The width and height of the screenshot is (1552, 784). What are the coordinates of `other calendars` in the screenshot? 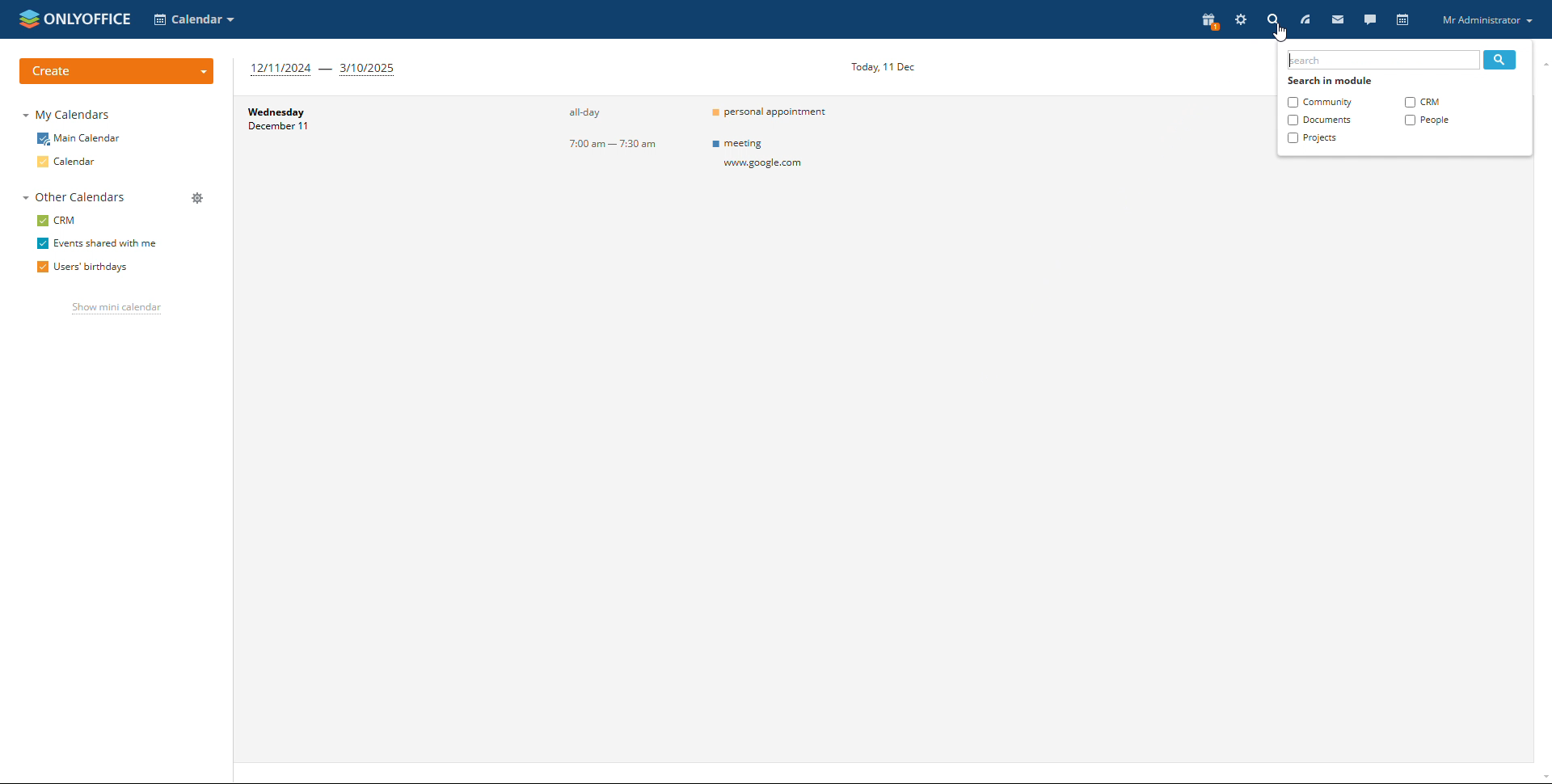 It's located at (76, 196).